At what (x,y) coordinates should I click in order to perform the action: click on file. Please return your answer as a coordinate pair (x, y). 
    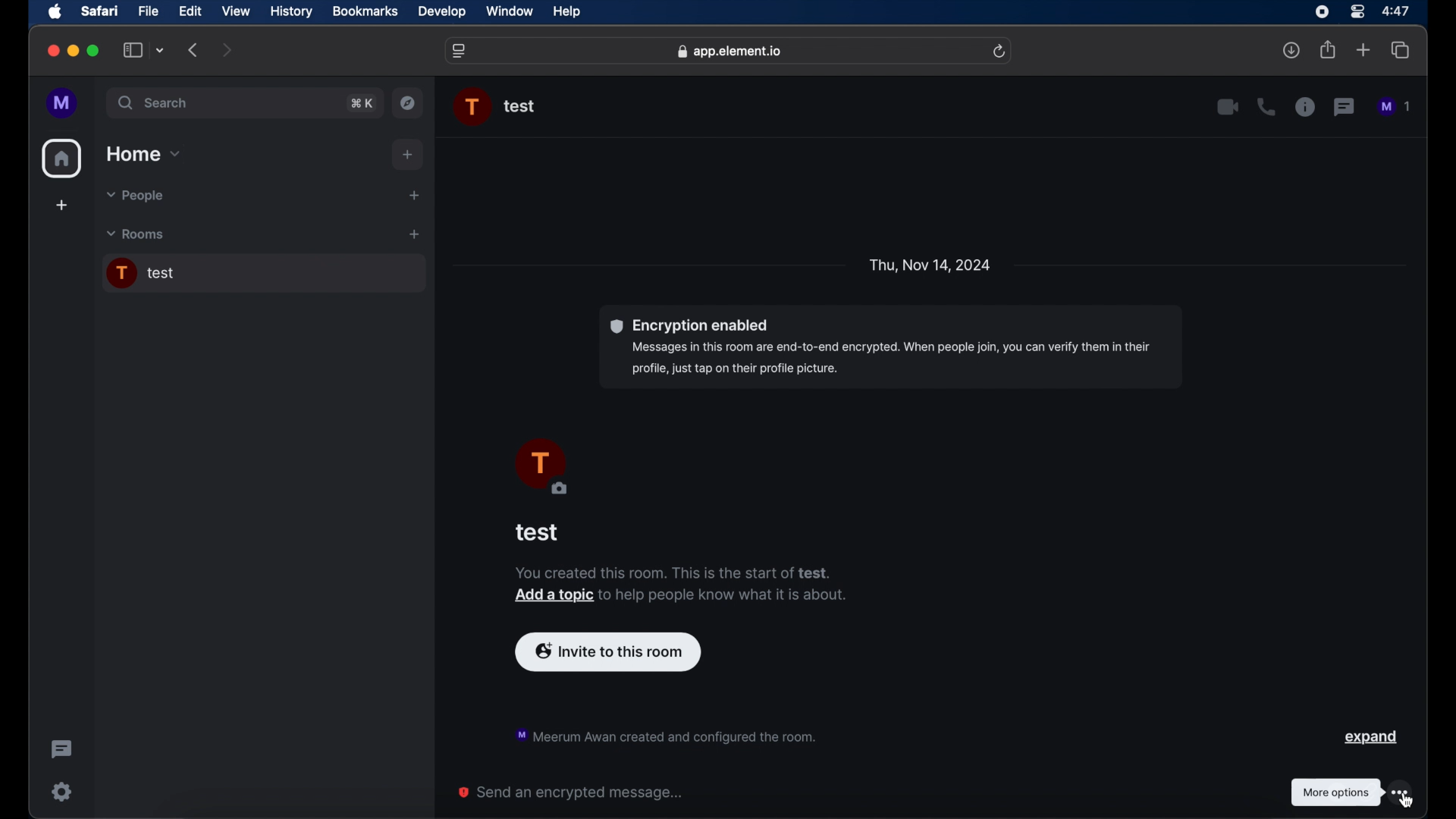
    Looking at the image, I should click on (149, 11).